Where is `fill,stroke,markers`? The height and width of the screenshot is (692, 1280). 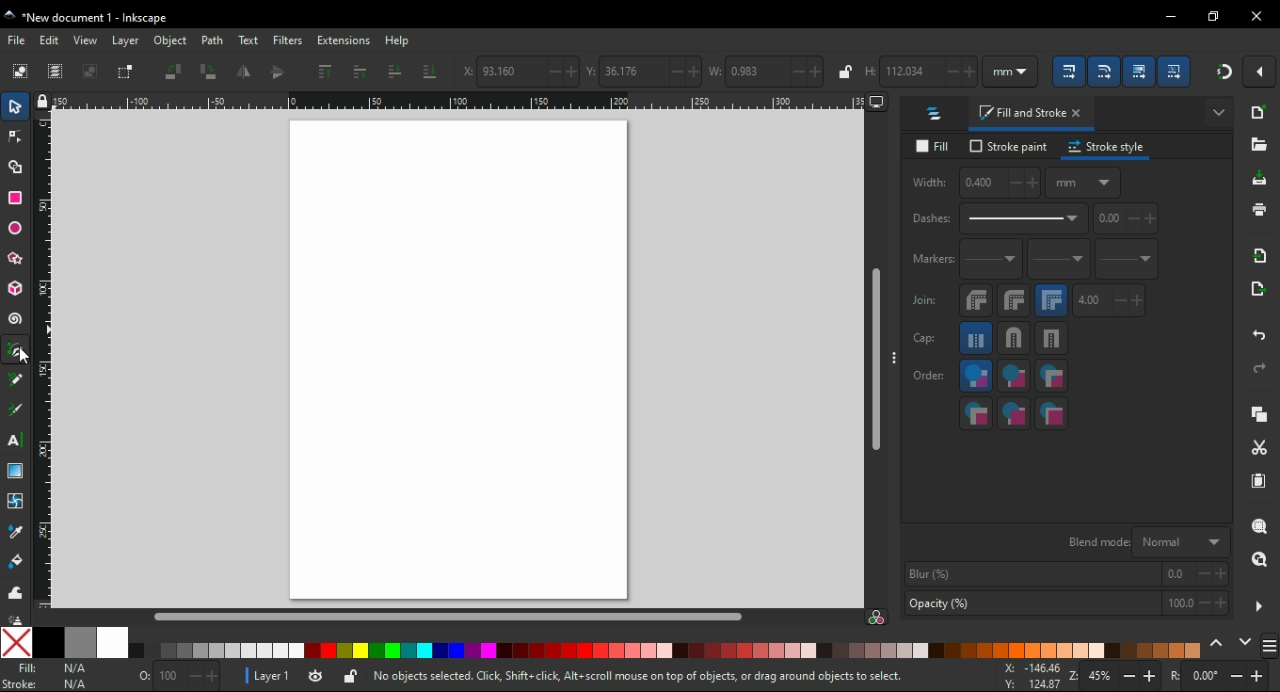
fill,stroke,markers is located at coordinates (976, 377).